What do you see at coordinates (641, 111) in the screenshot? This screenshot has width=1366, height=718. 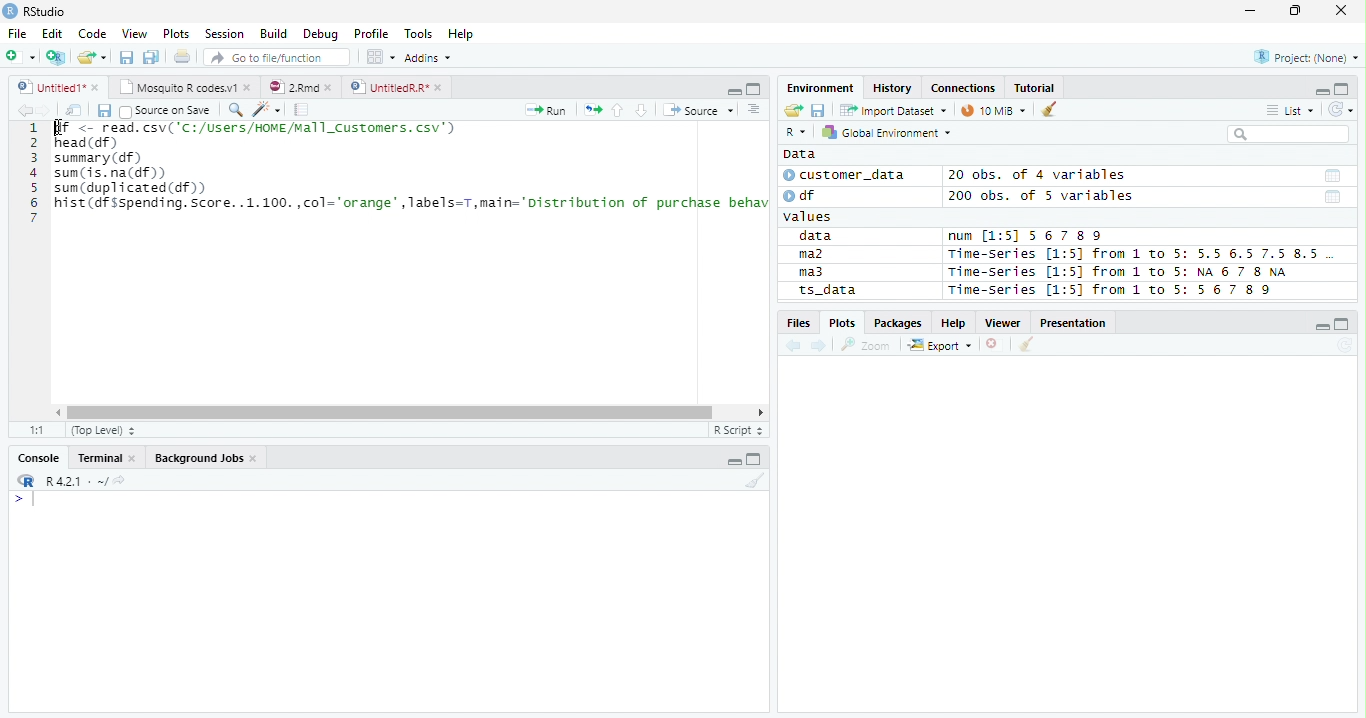 I see `Down` at bounding box center [641, 111].